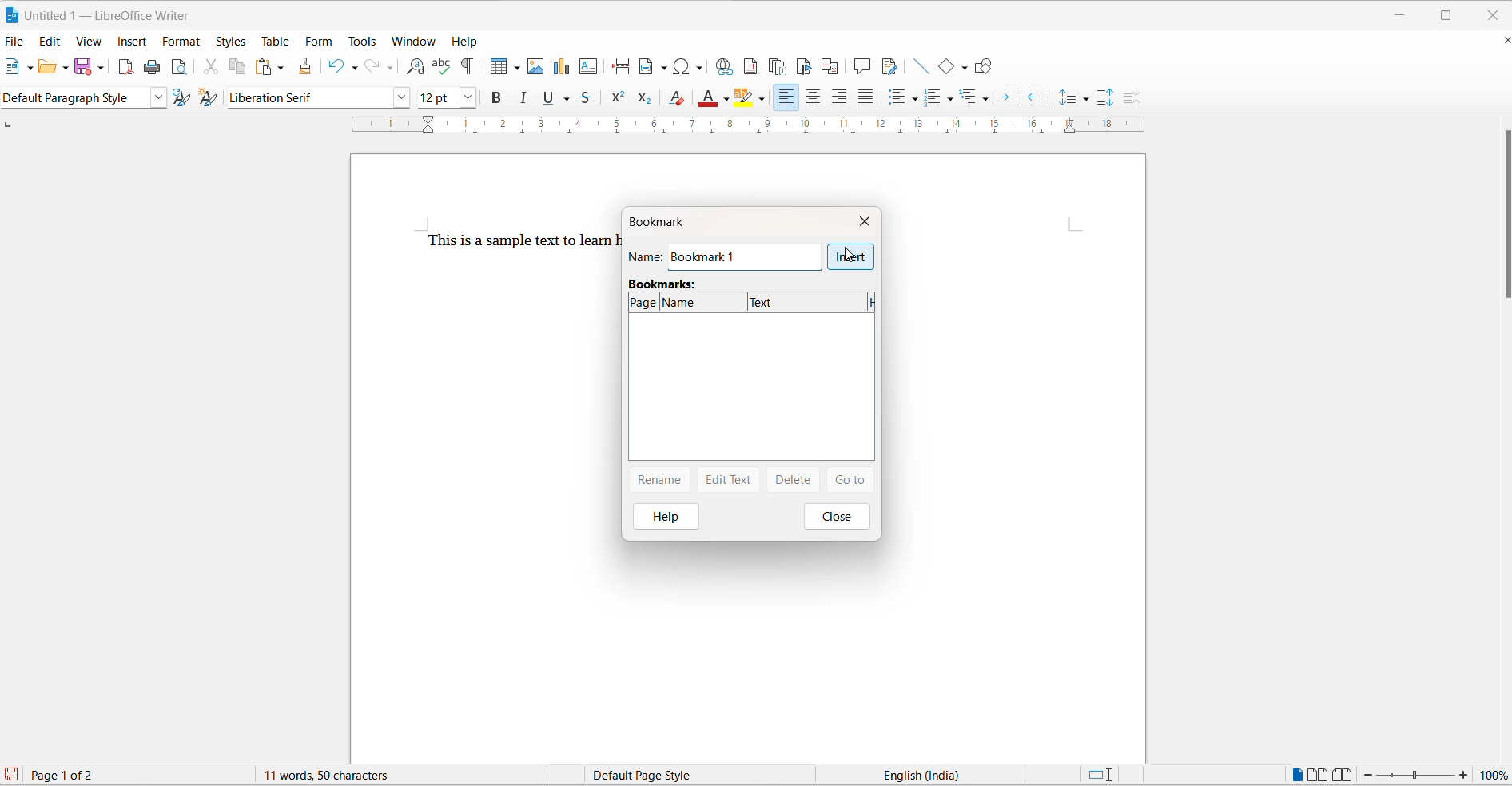 The height and width of the screenshot is (786, 1512). What do you see at coordinates (747, 99) in the screenshot?
I see `character highlight icon` at bounding box center [747, 99].